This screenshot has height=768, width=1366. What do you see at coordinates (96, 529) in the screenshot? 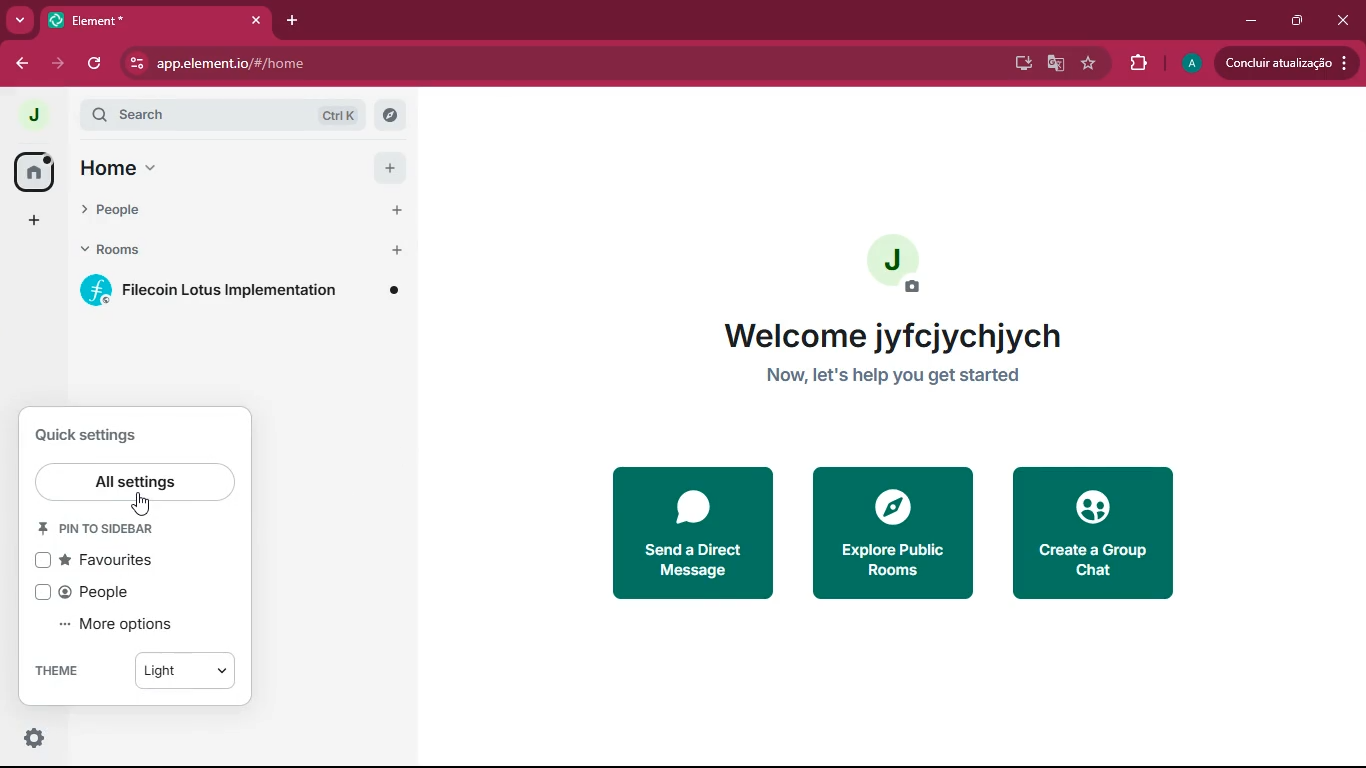
I see `pin ro sidebar` at bounding box center [96, 529].